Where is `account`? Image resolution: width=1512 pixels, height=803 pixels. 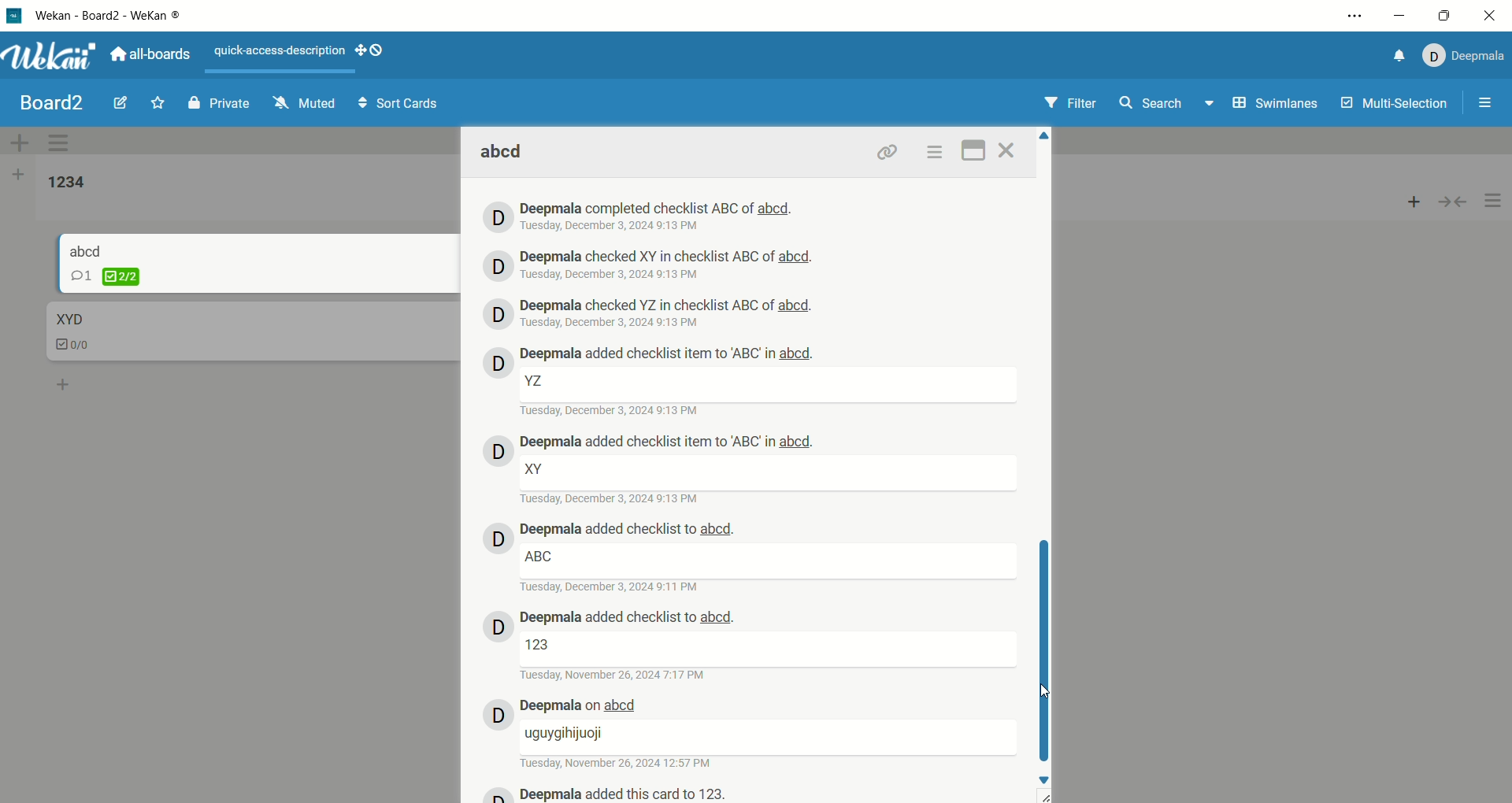
account is located at coordinates (1461, 56).